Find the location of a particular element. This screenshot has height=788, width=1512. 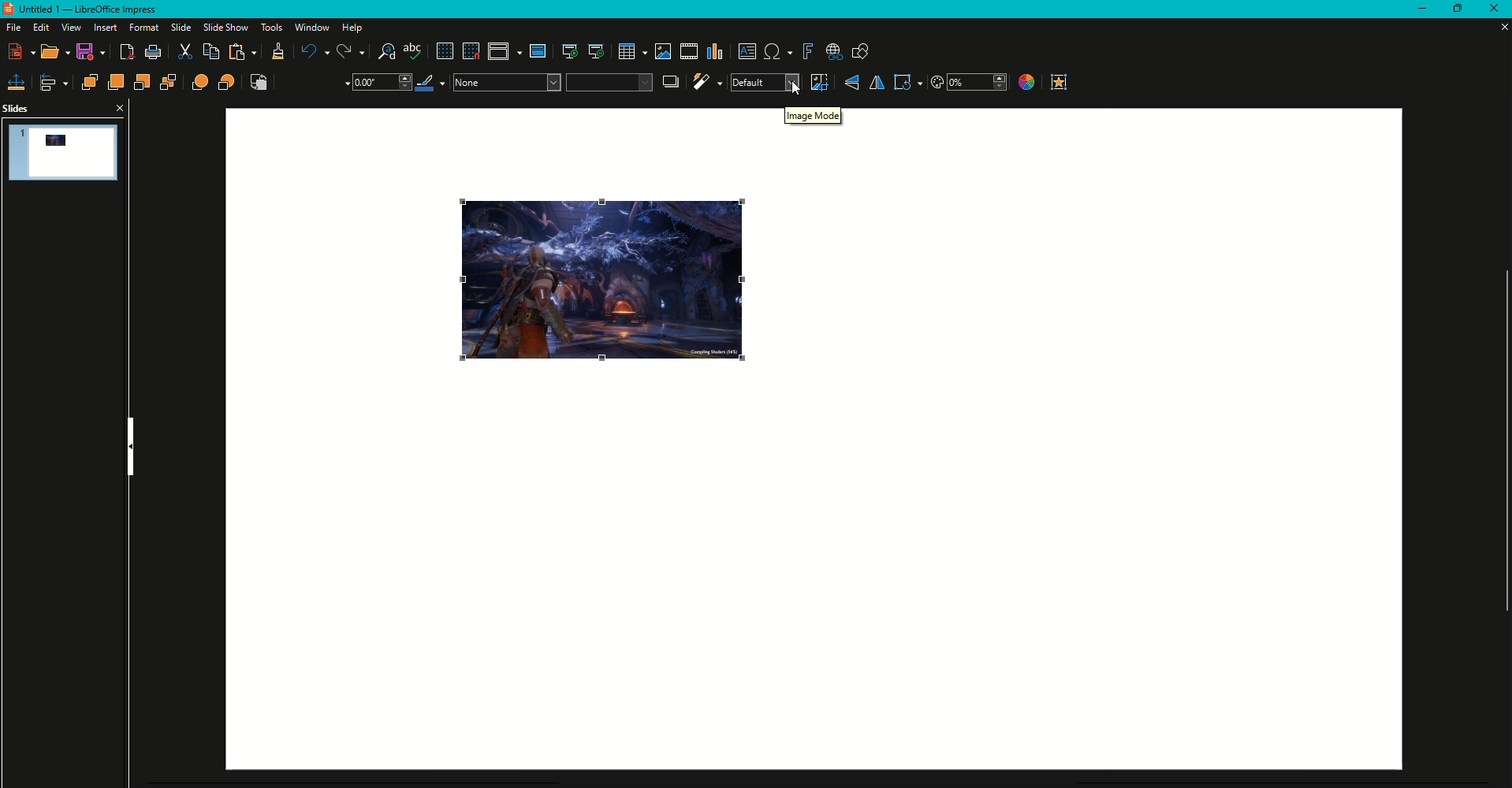

Slide Show is located at coordinates (224, 27).